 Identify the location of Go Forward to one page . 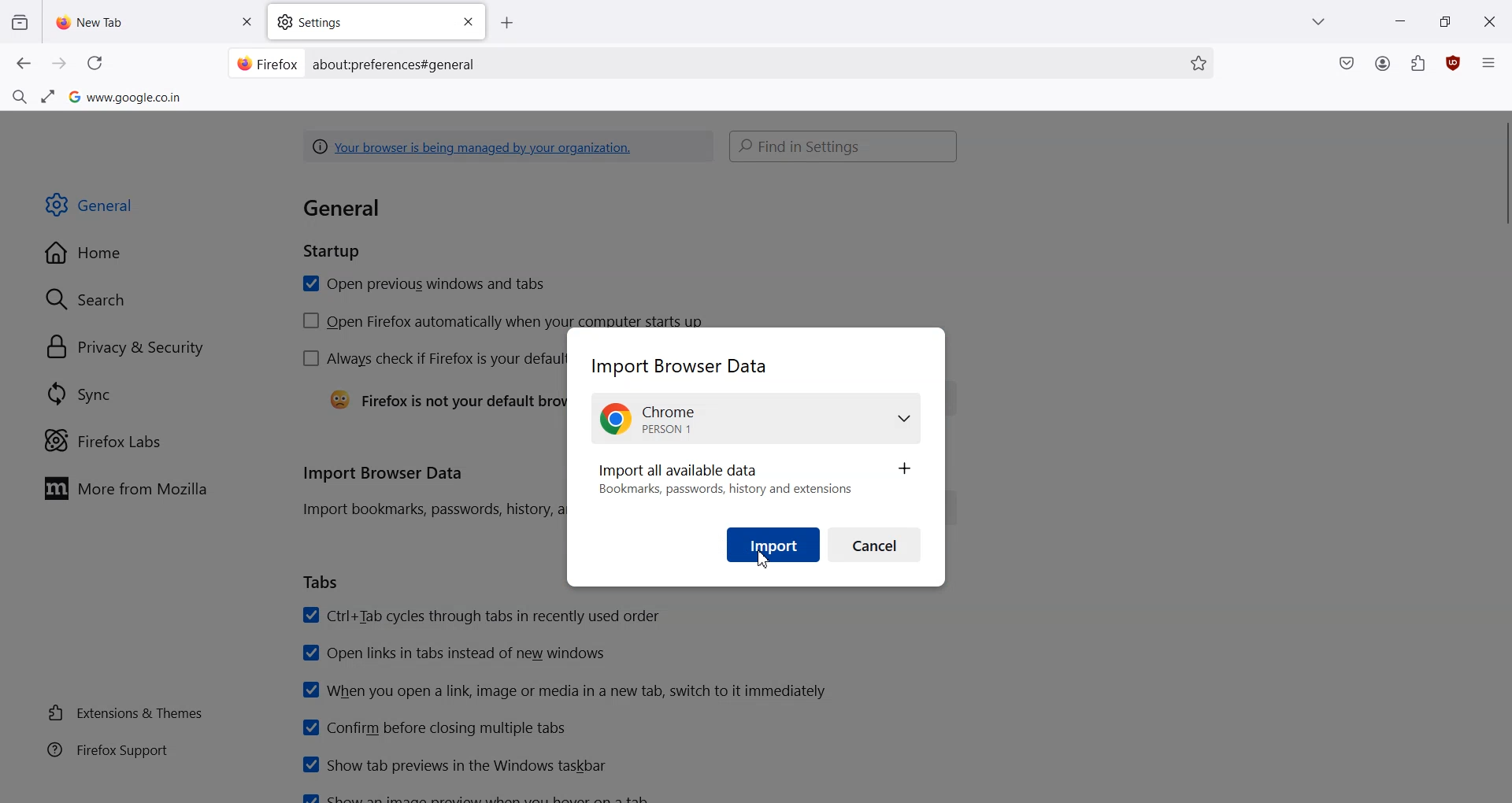
(60, 64).